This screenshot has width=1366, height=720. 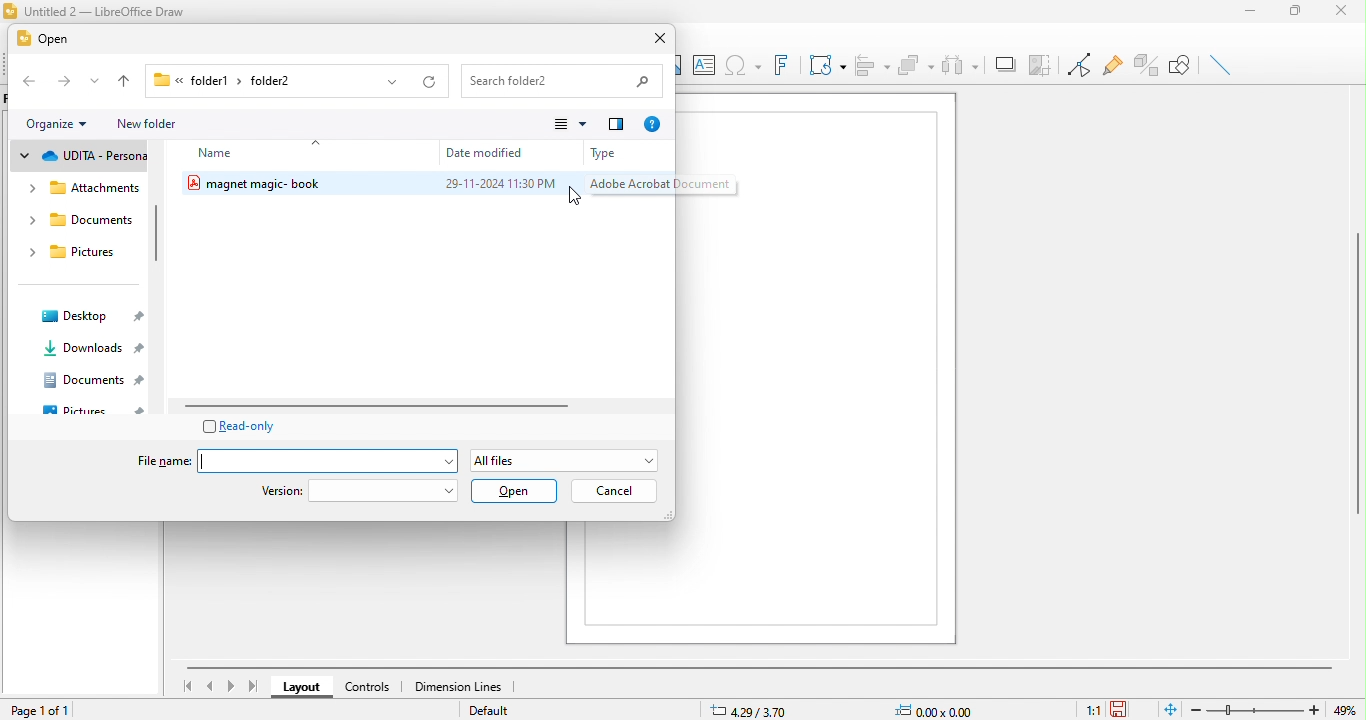 What do you see at coordinates (619, 126) in the screenshot?
I see `show the preview pane ` at bounding box center [619, 126].